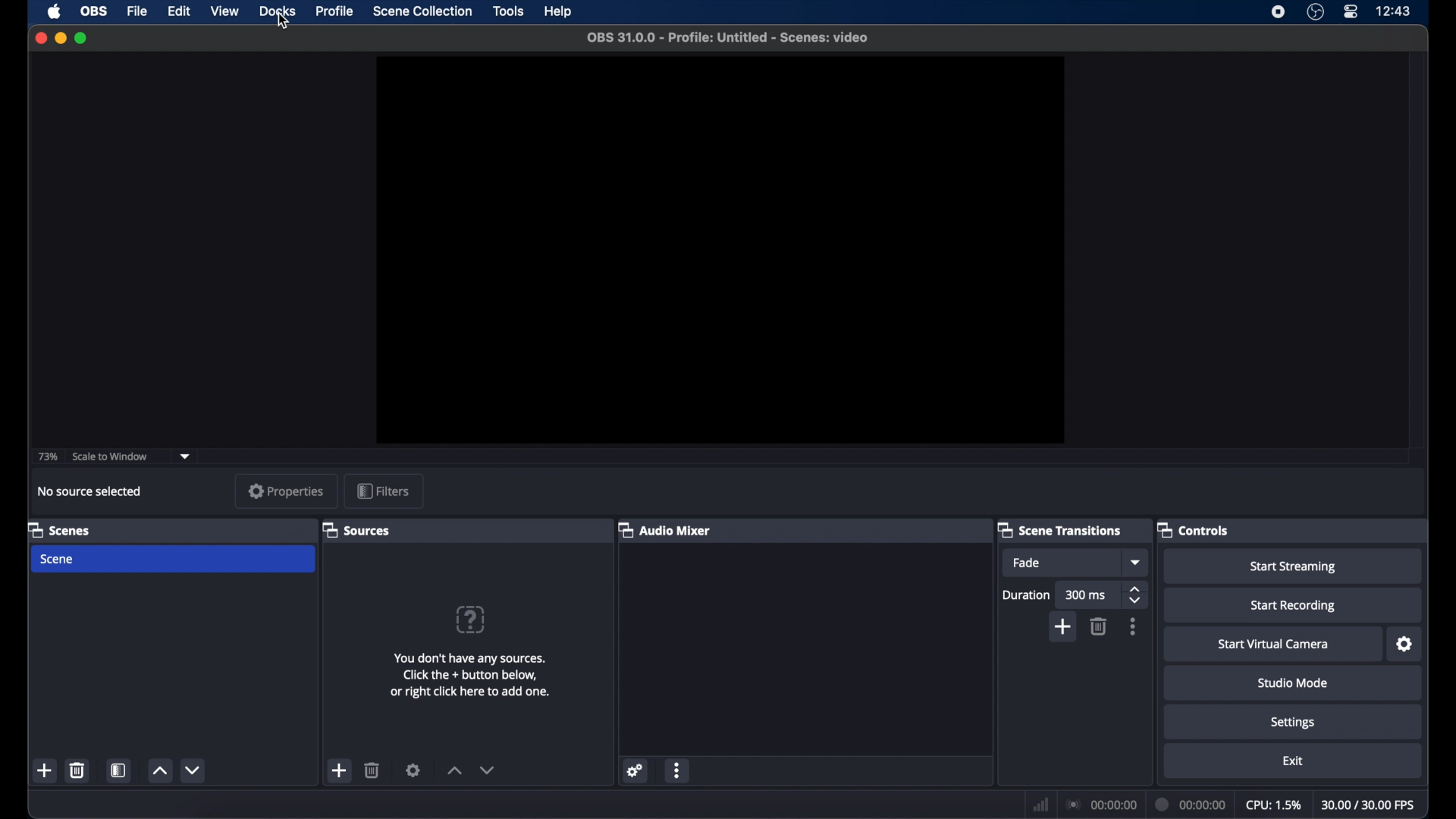 The height and width of the screenshot is (819, 1456). Describe the element at coordinates (359, 531) in the screenshot. I see `sources` at that location.